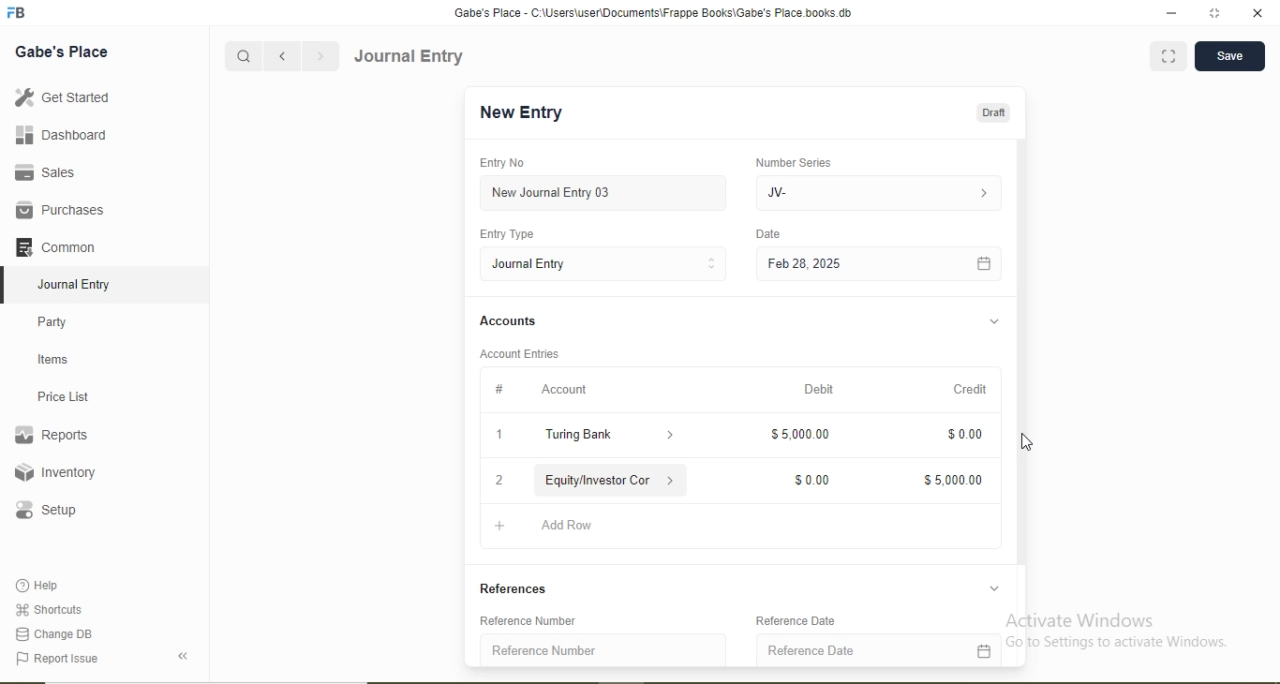 The width and height of the screenshot is (1280, 684). What do you see at coordinates (567, 525) in the screenshot?
I see `Add Row` at bounding box center [567, 525].